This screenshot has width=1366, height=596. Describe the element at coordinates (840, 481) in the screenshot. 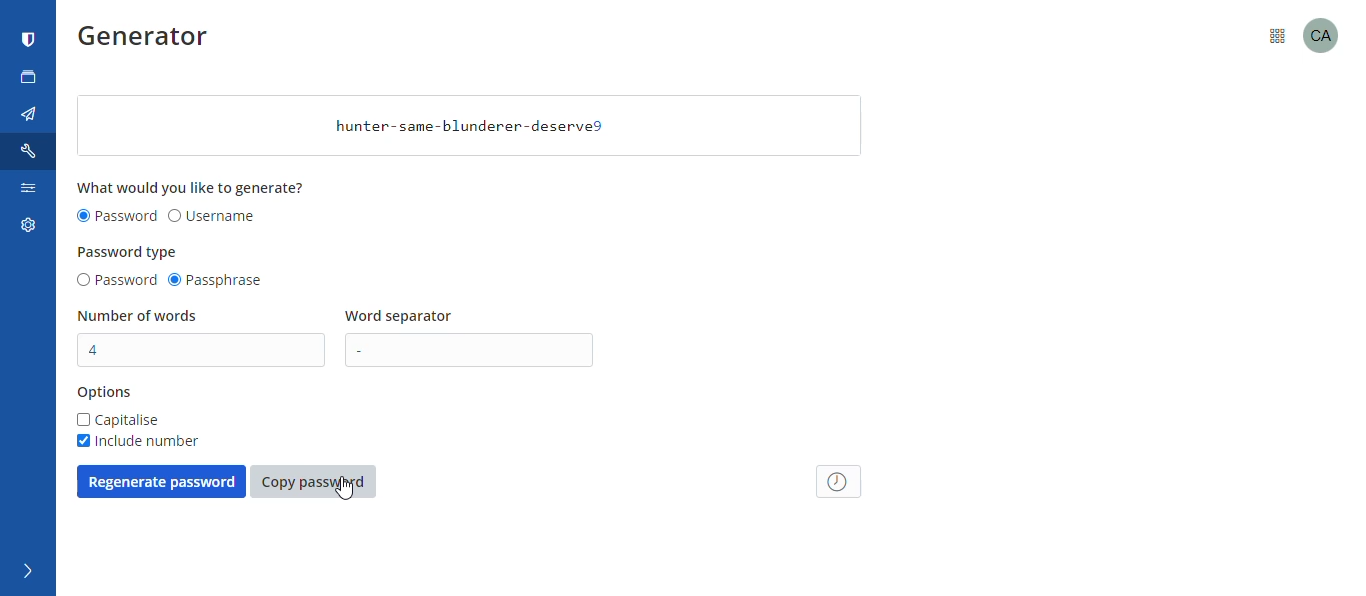

I see `password history` at that location.